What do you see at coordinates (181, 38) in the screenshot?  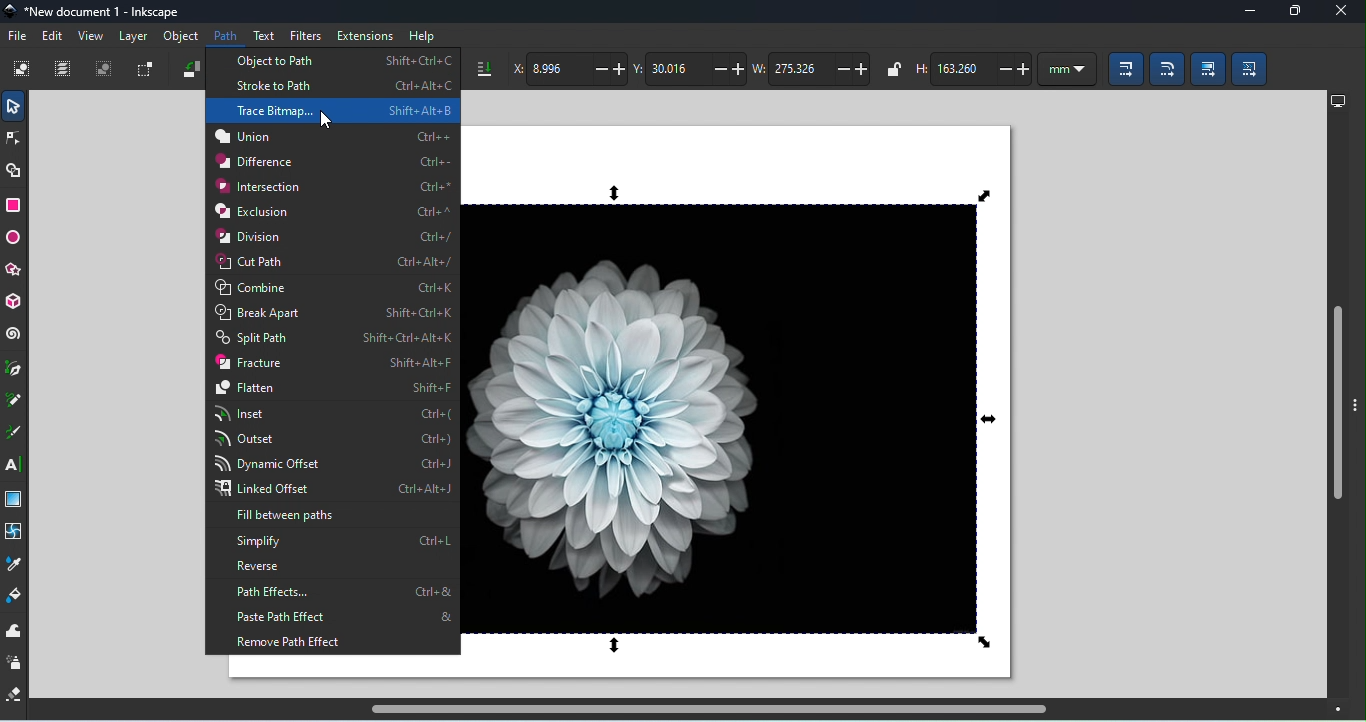 I see `Object` at bounding box center [181, 38].